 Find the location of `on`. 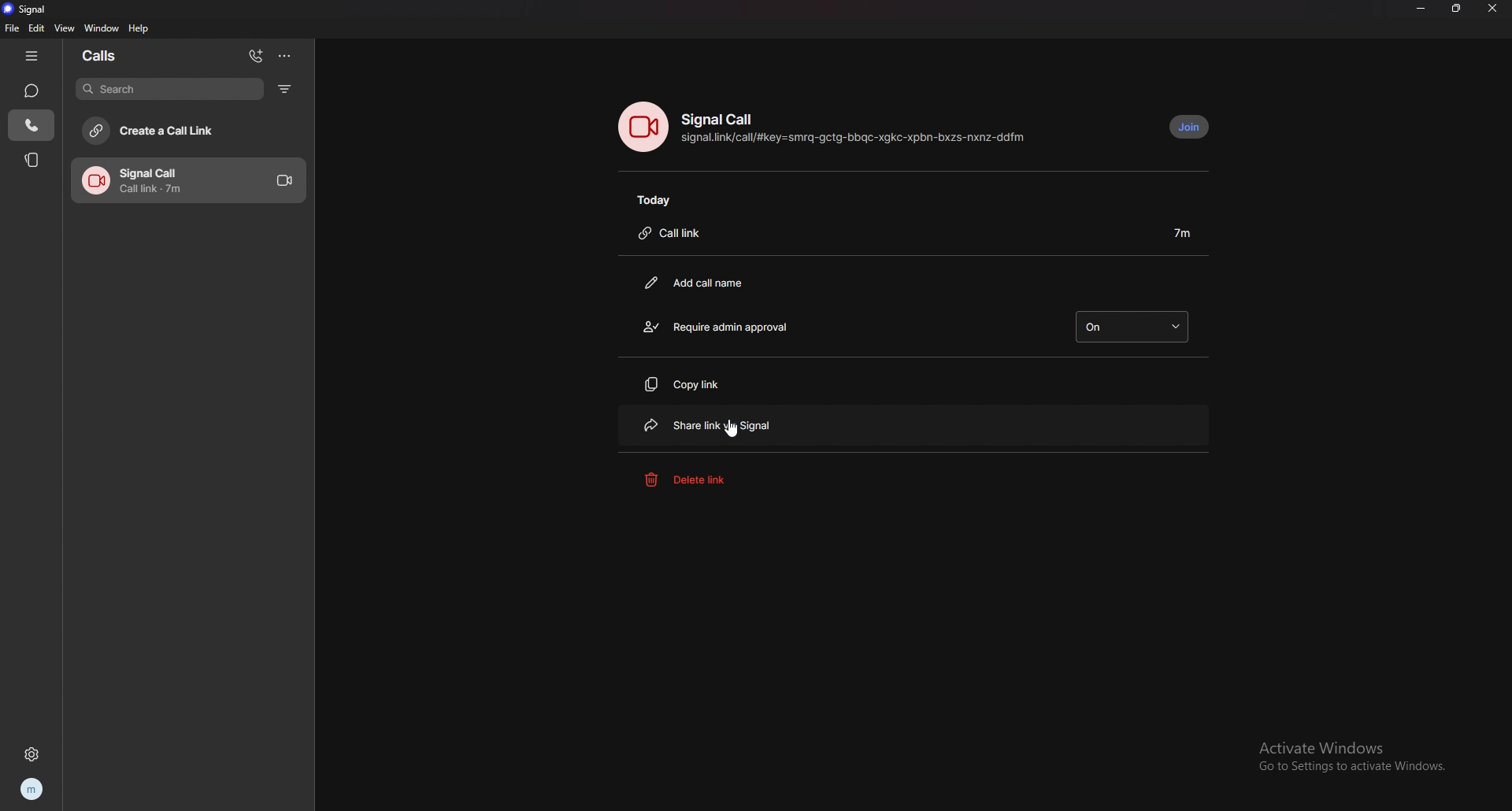

on is located at coordinates (1131, 327).